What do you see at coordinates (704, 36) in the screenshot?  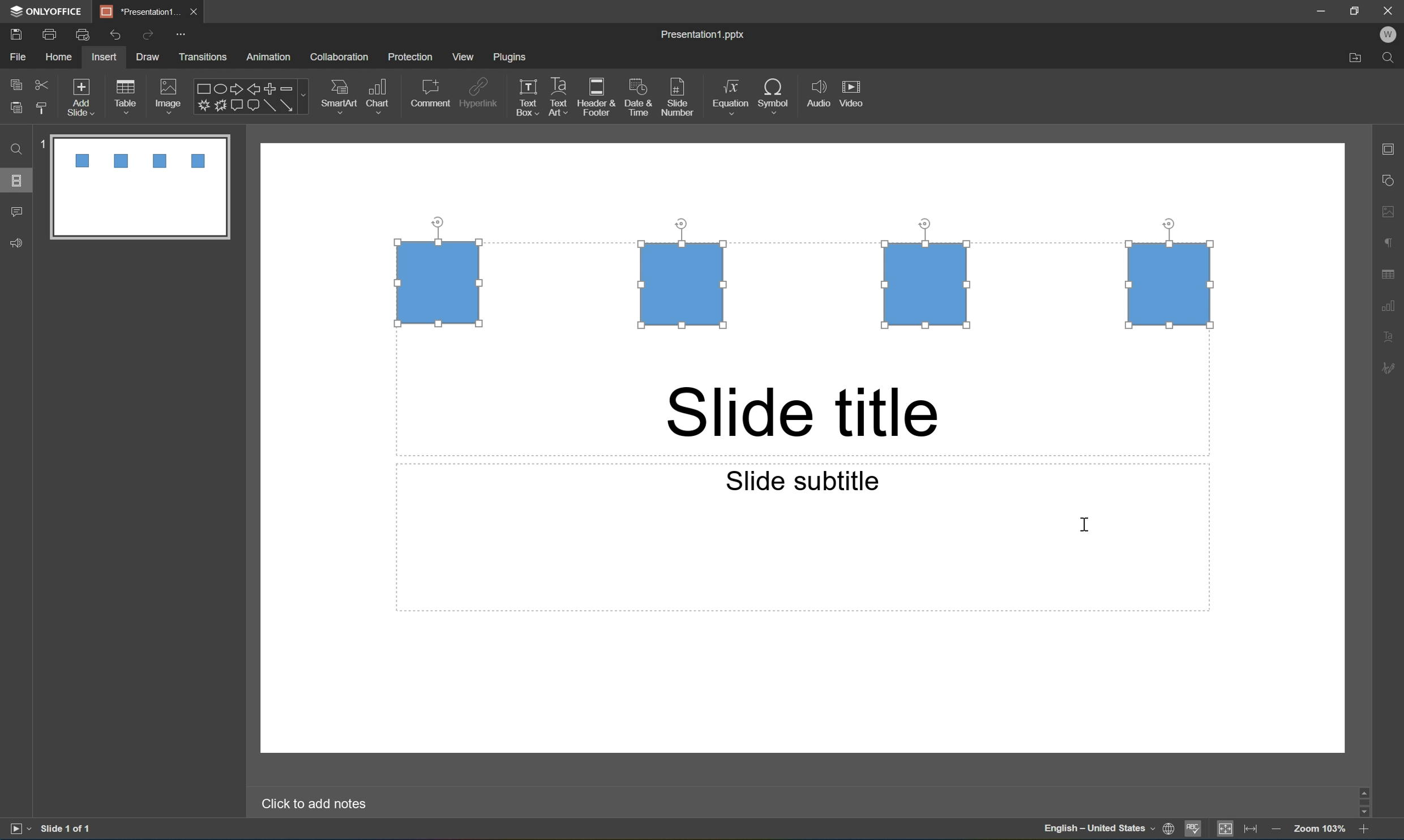 I see `Presentation1.pptx` at bounding box center [704, 36].